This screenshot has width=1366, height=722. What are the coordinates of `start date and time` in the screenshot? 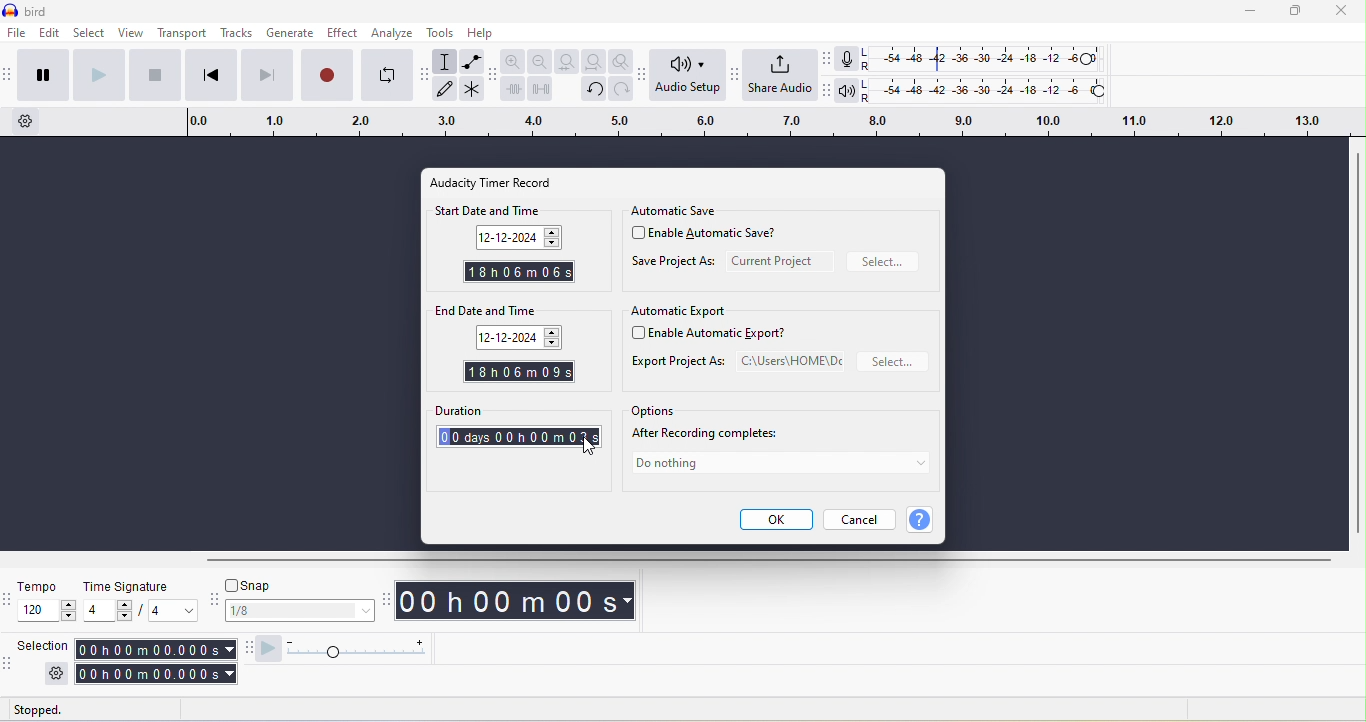 It's located at (514, 211).